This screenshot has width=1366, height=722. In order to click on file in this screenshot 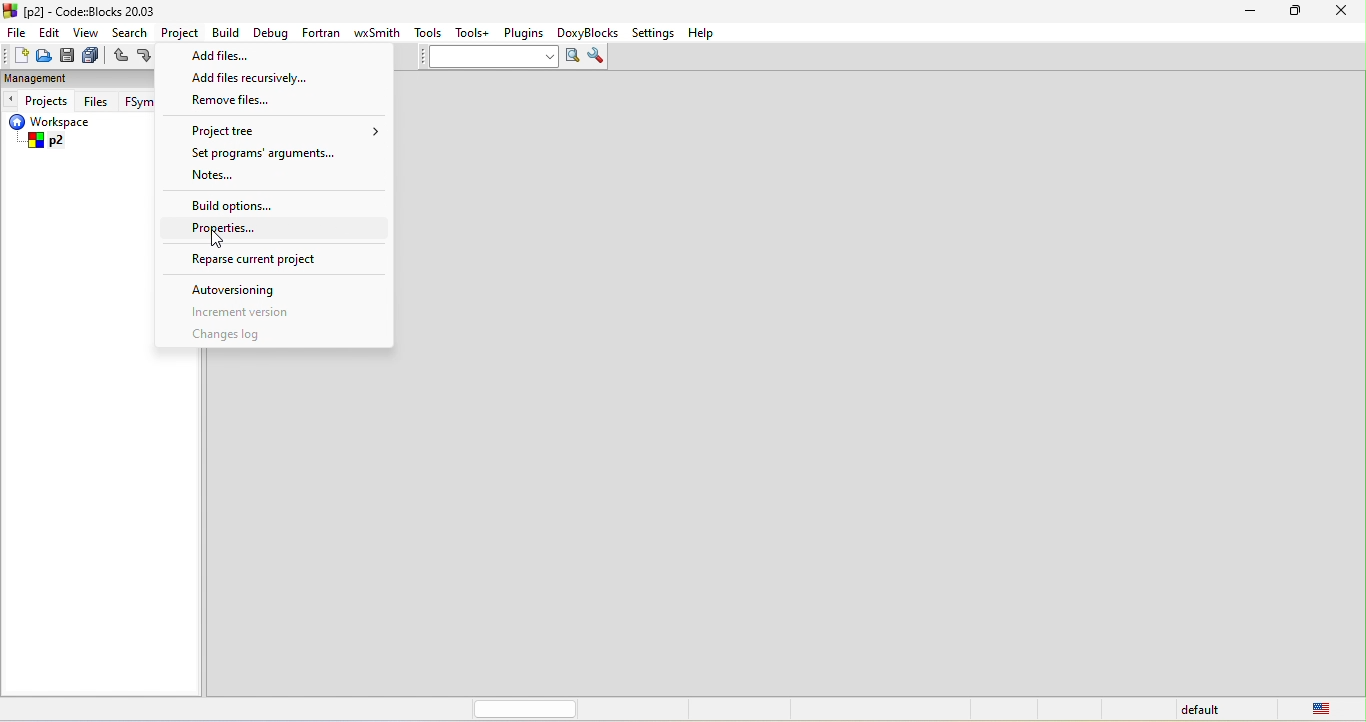, I will do `click(15, 32)`.